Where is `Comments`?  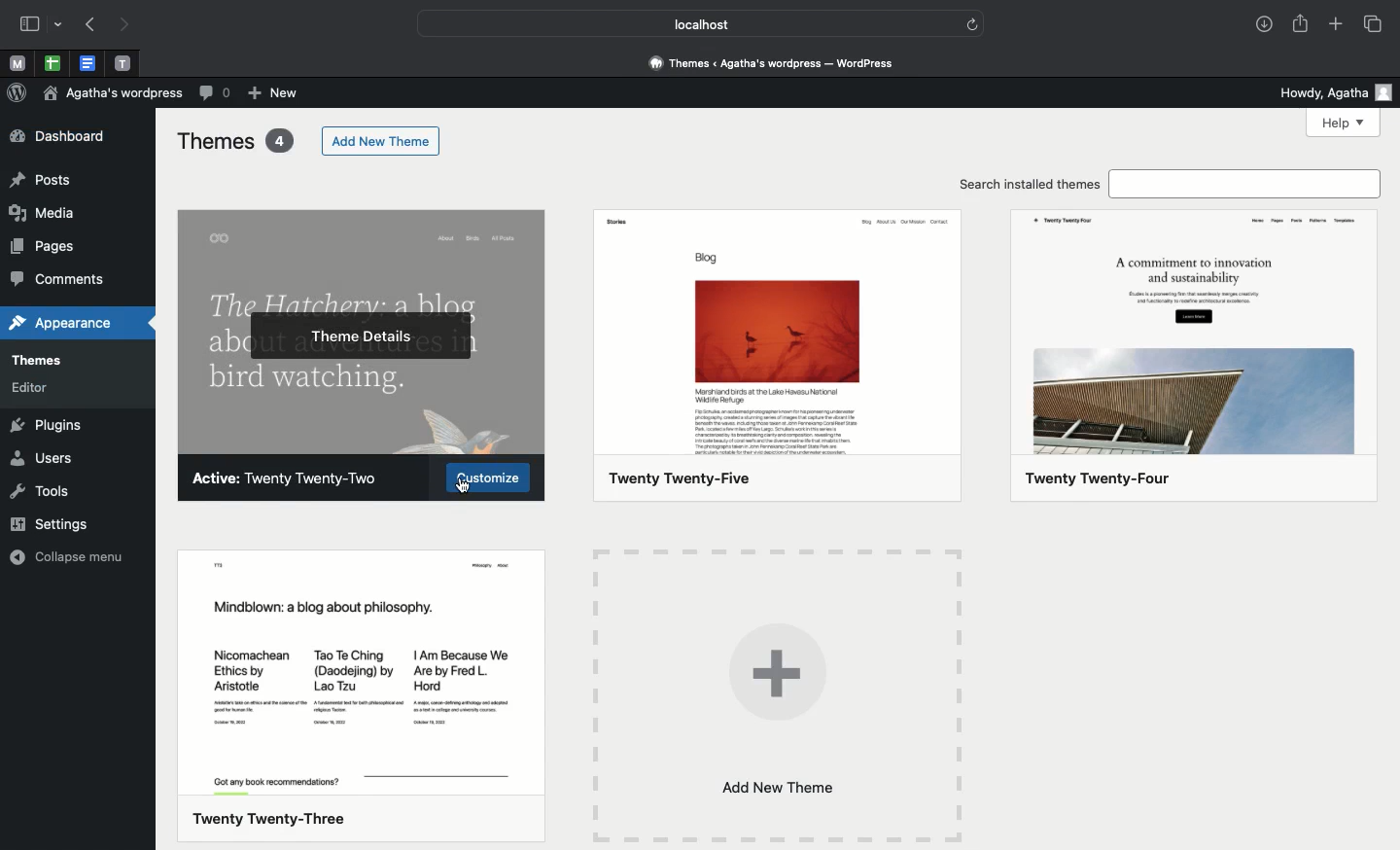 Comments is located at coordinates (215, 92).